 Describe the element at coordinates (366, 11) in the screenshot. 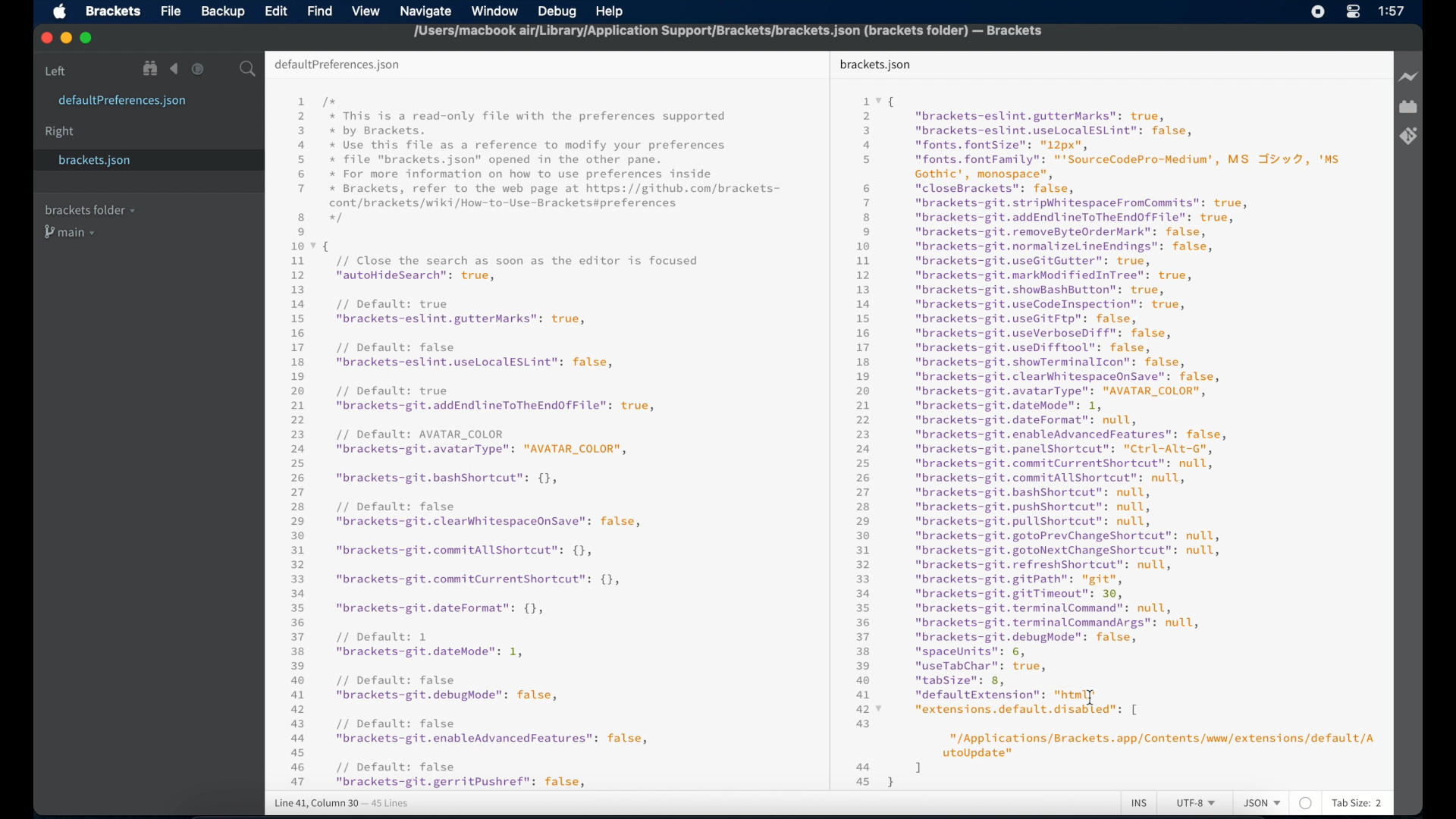

I see `view` at that location.